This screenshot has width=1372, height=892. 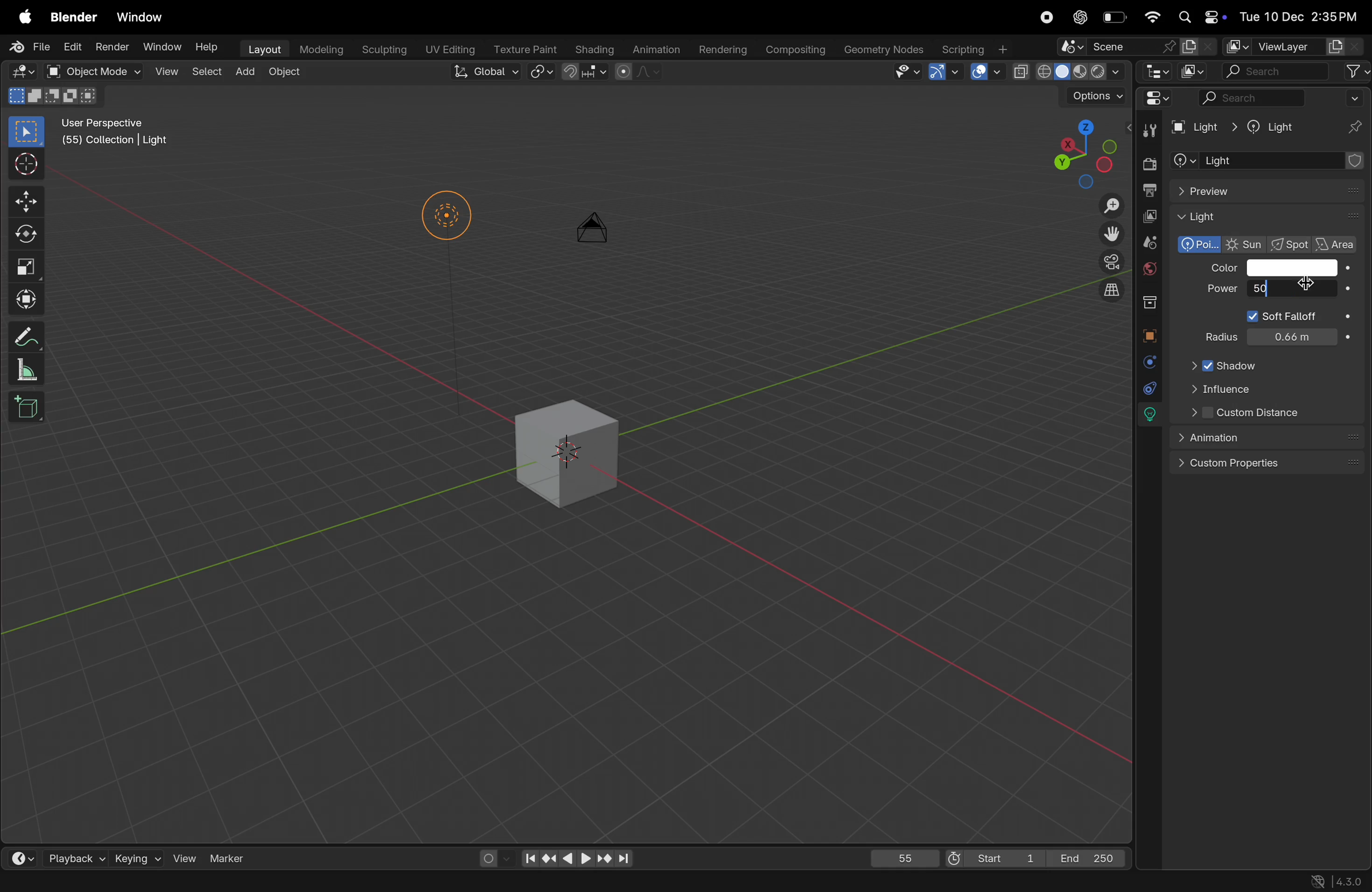 I want to click on rotate, so click(x=26, y=237).